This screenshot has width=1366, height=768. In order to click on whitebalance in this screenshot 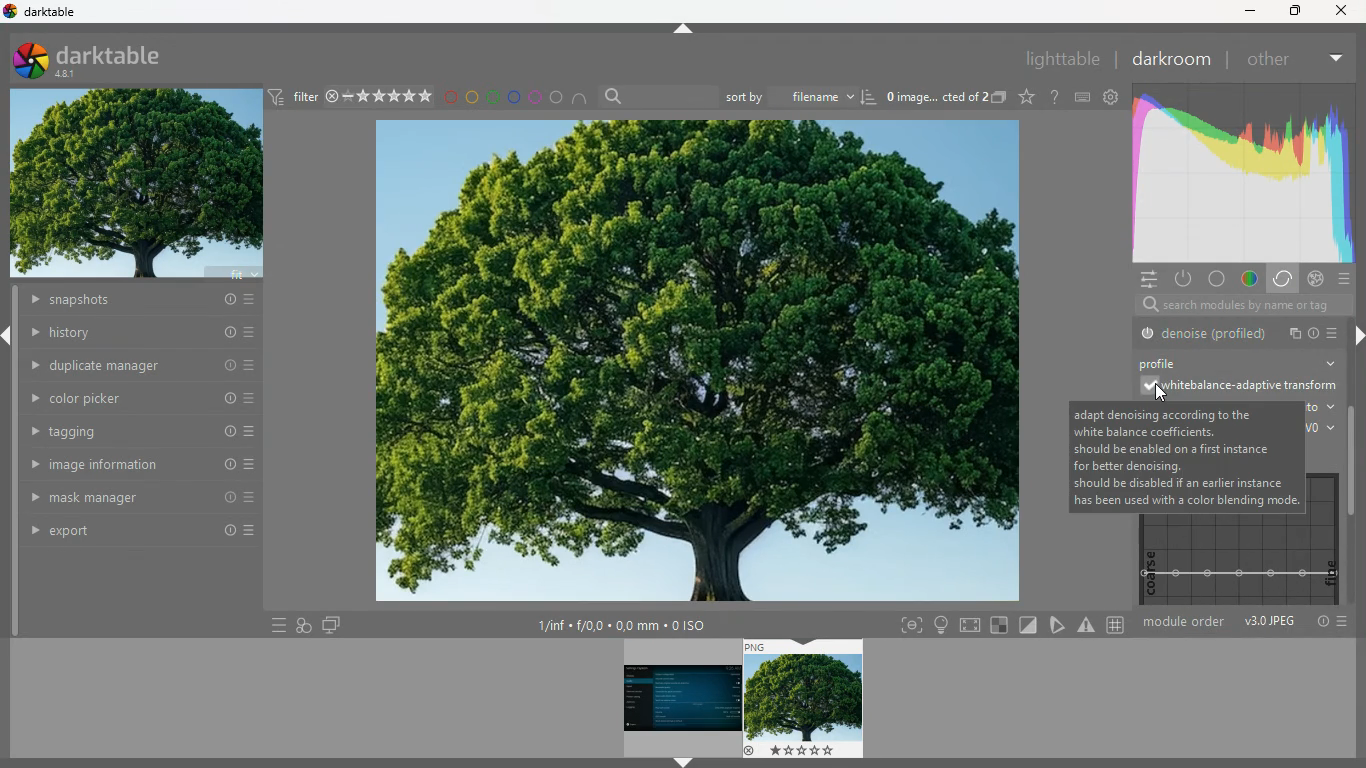, I will do `click(1237, 388)`.